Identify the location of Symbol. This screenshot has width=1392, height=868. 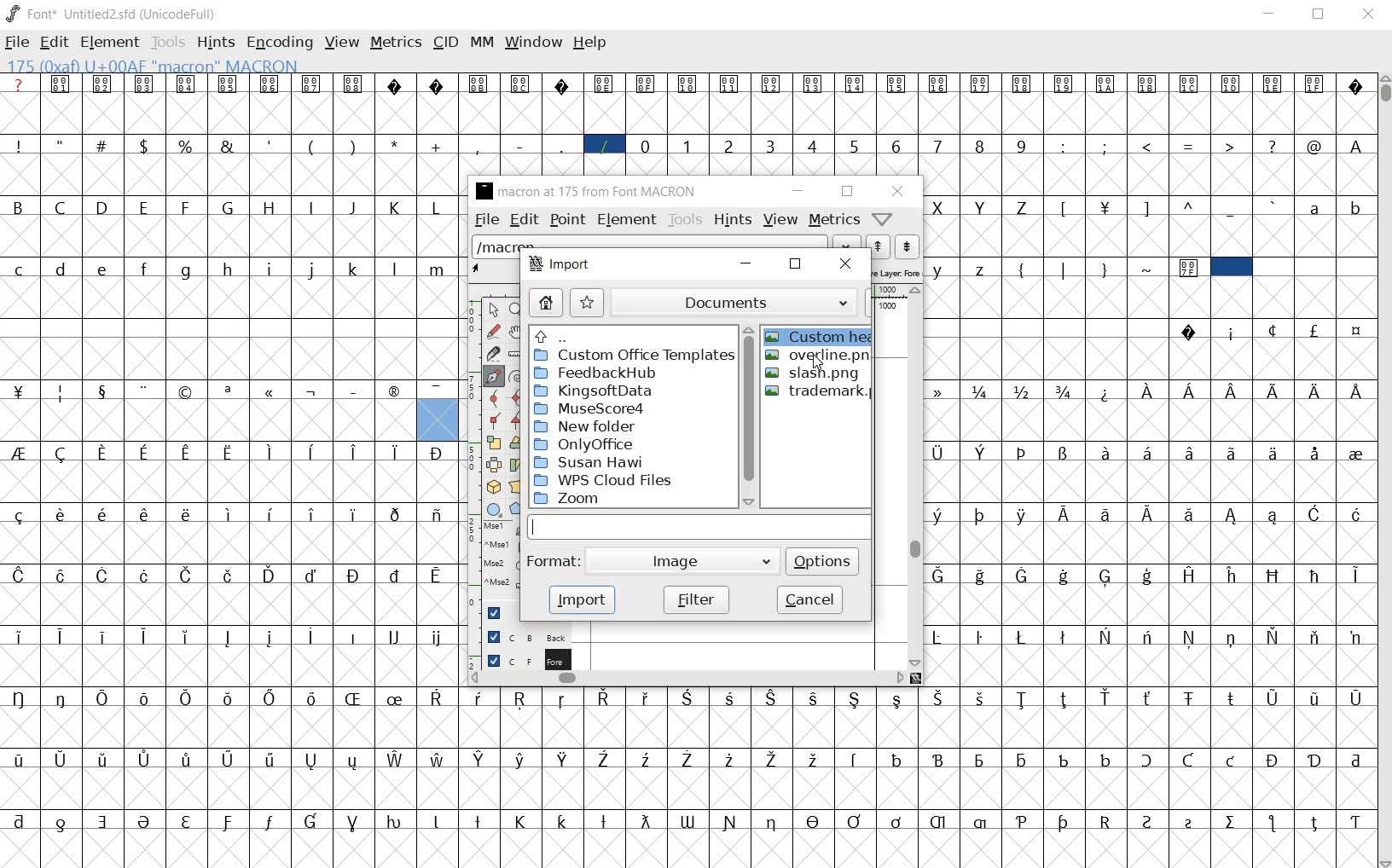
(105, 759).